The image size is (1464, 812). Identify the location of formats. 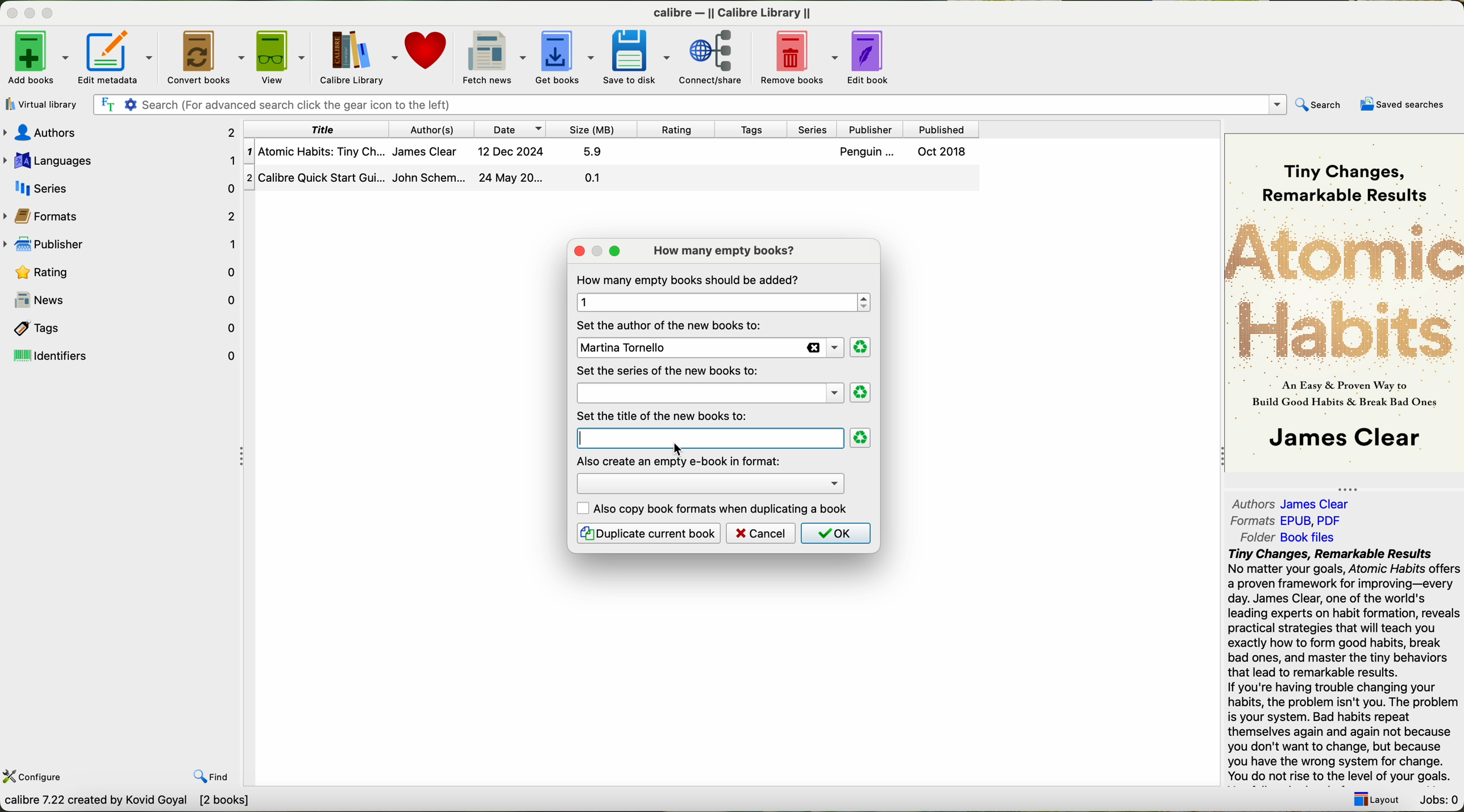
(1287, 520).